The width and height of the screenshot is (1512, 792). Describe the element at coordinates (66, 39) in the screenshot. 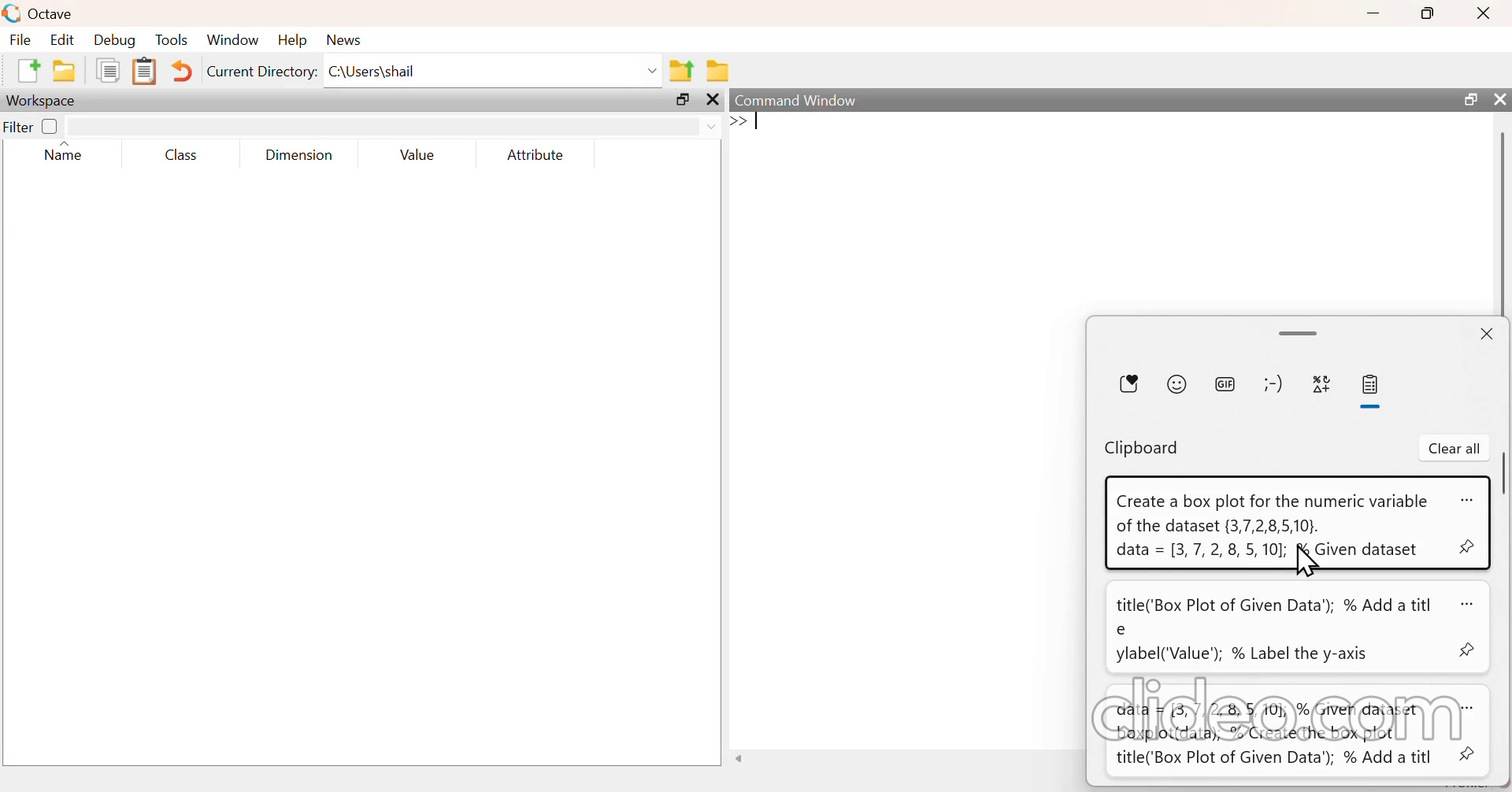

I see `edit` at that location.